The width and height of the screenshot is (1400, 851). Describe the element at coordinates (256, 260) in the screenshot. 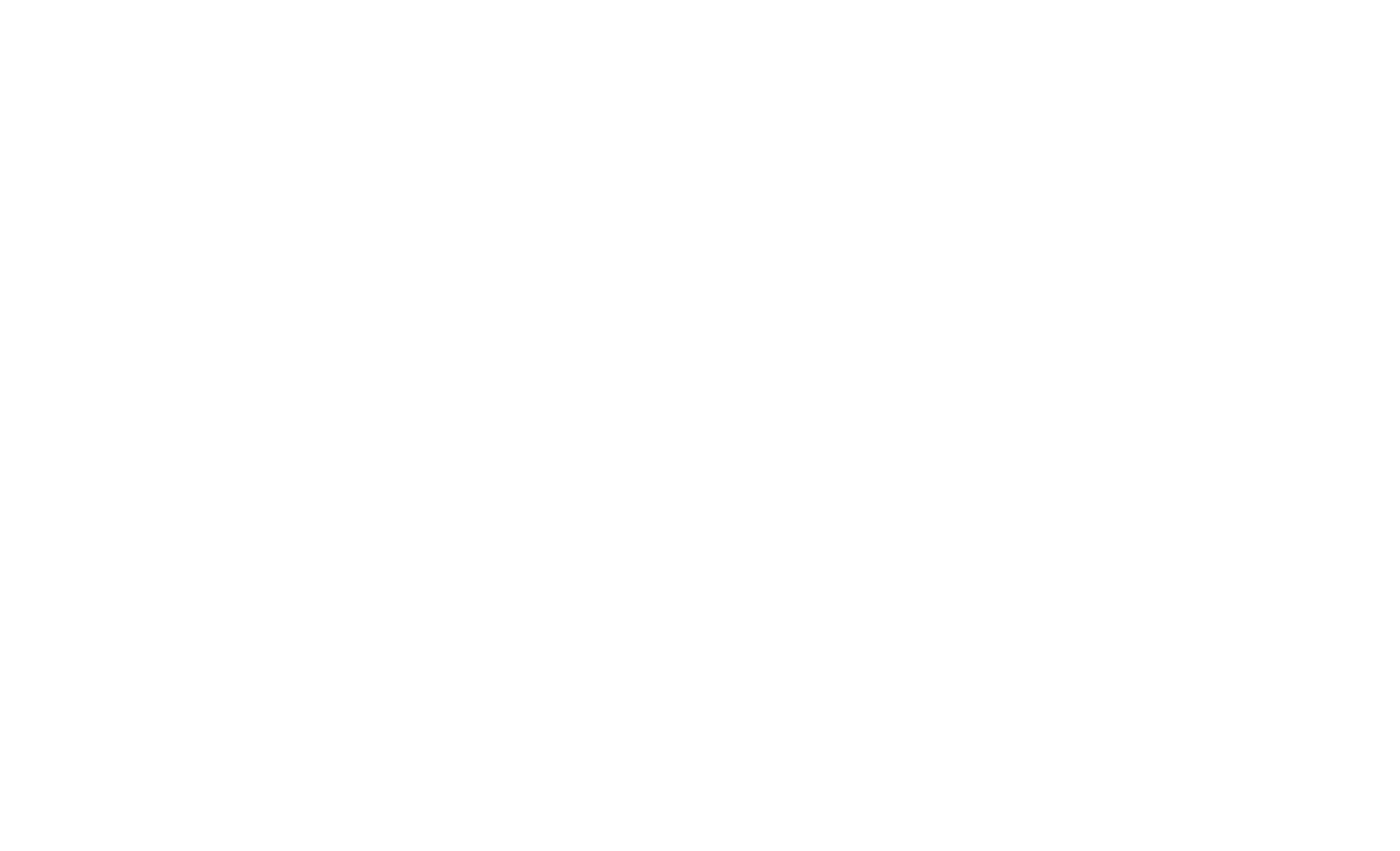

I see `Drag` at that location.